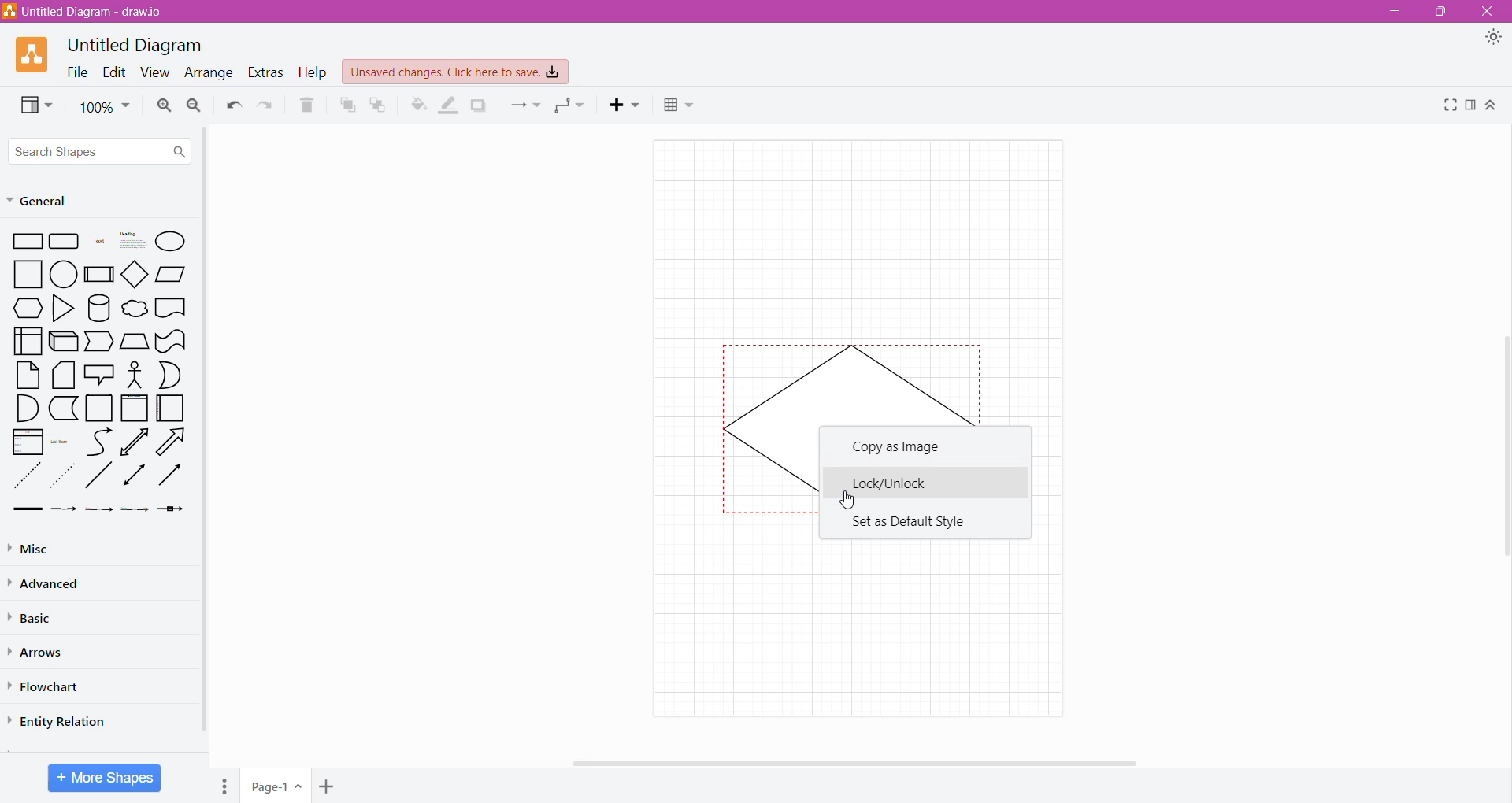  What do you see at coordinates (27, 409) in the screenshot?
I see `And` at bounding box center [27, 409].